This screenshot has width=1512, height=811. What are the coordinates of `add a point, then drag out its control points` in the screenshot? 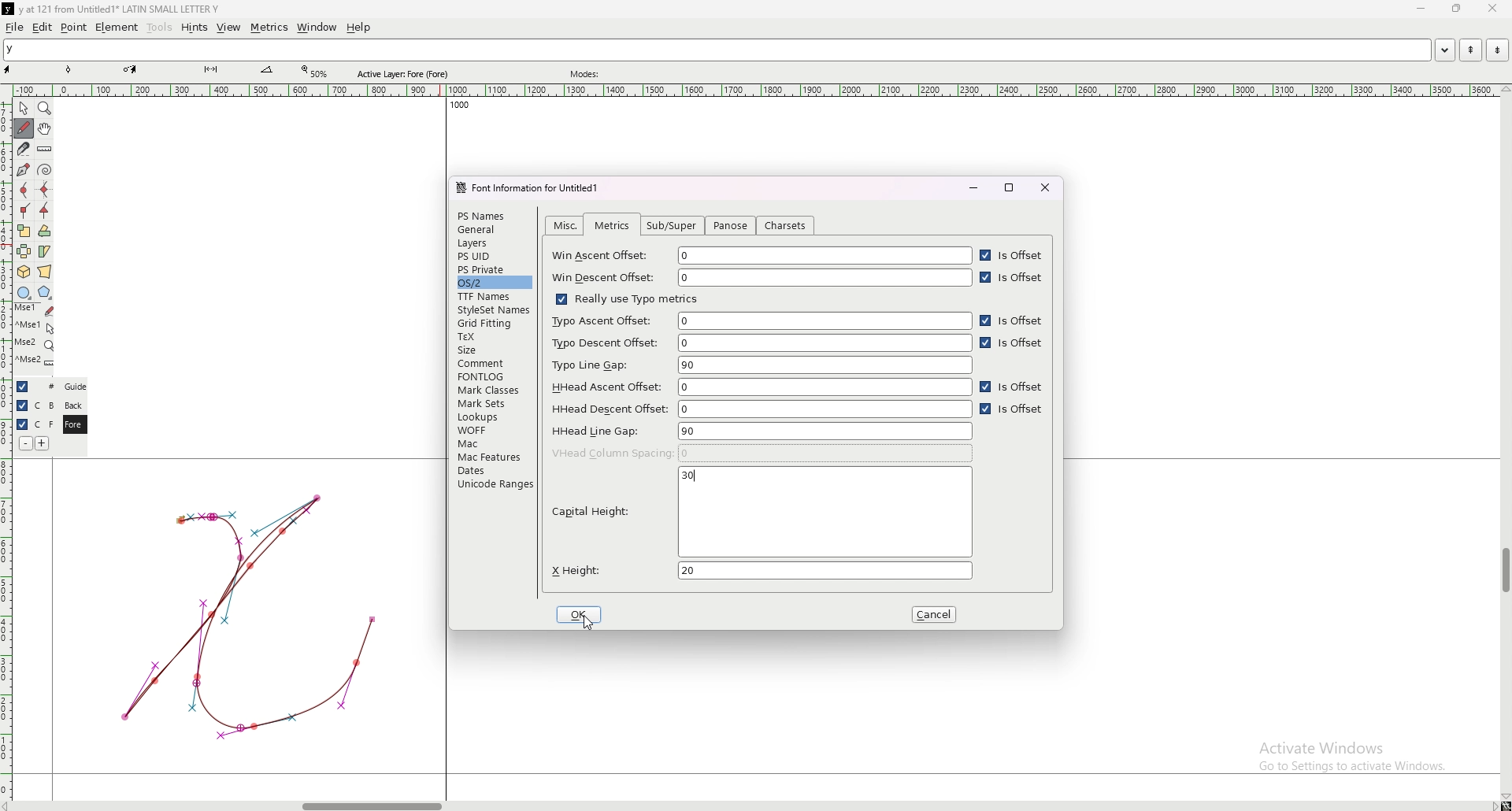 It's located at (22, 168).